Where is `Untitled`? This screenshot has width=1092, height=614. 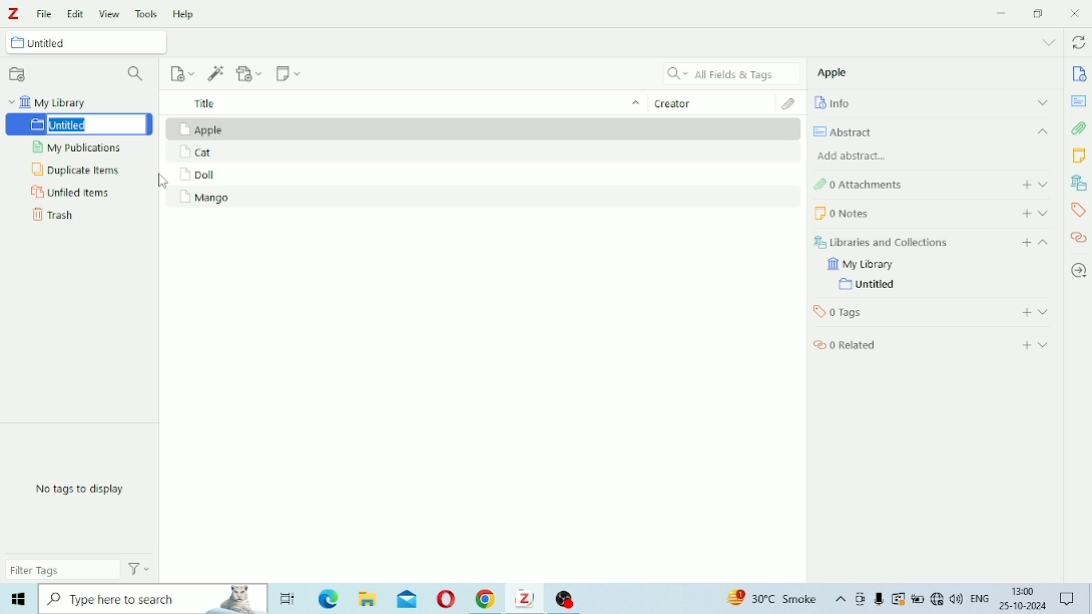 Untitled is located at coordinates (870, 285).